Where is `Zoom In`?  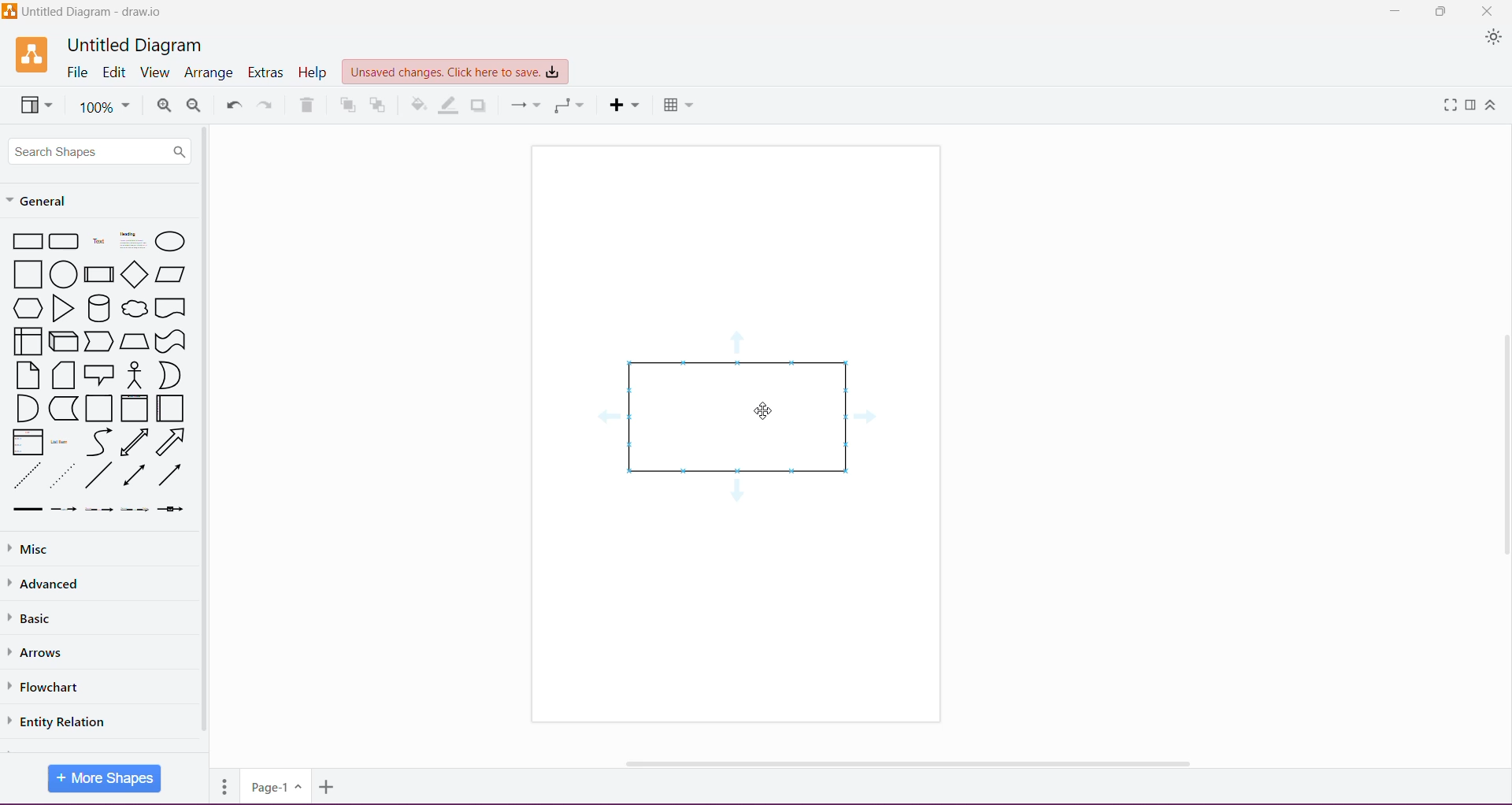 Zoom In is located at coordinates (164, 106).